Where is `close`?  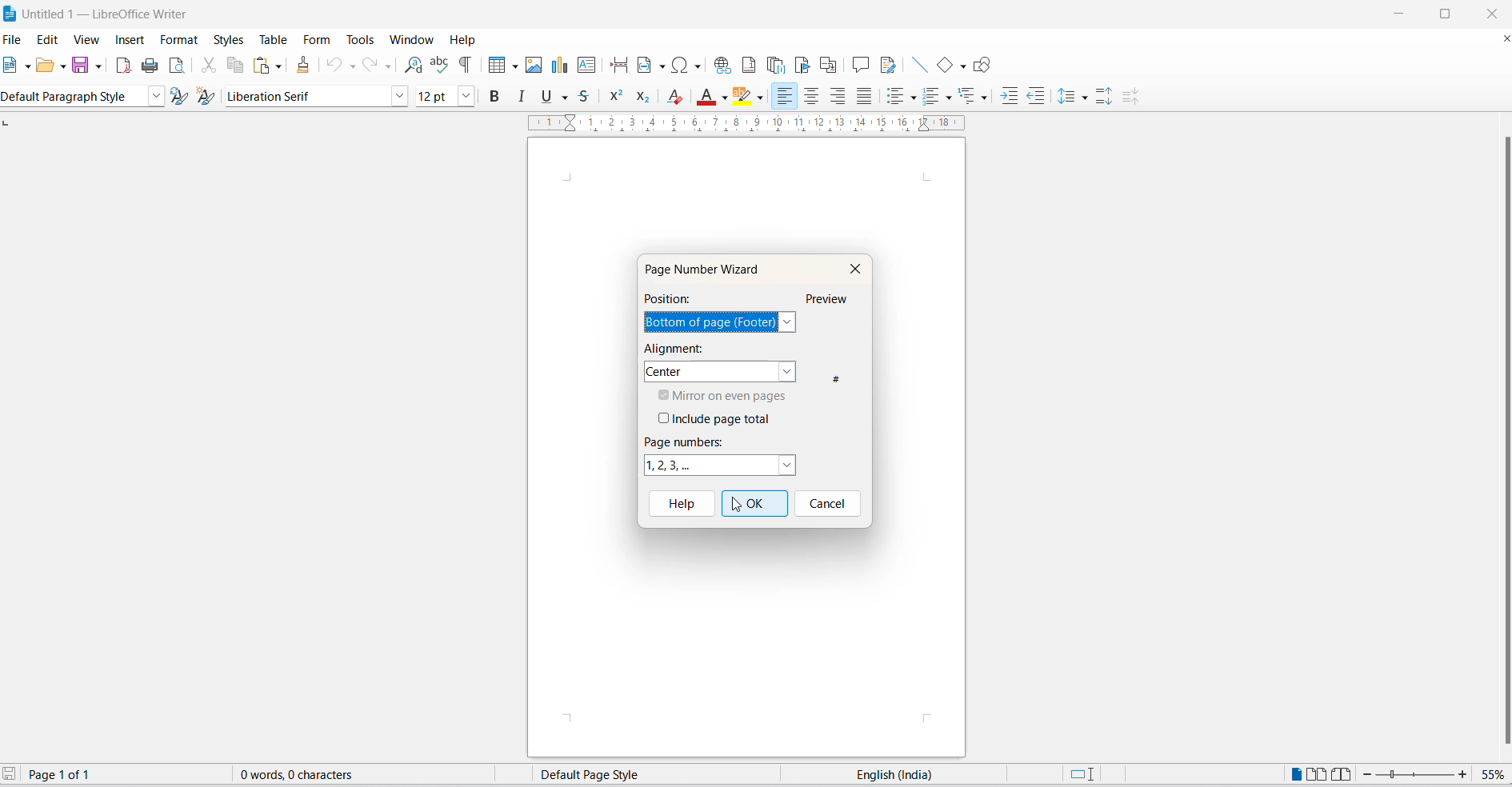
close is located at coordinates (853, 269).